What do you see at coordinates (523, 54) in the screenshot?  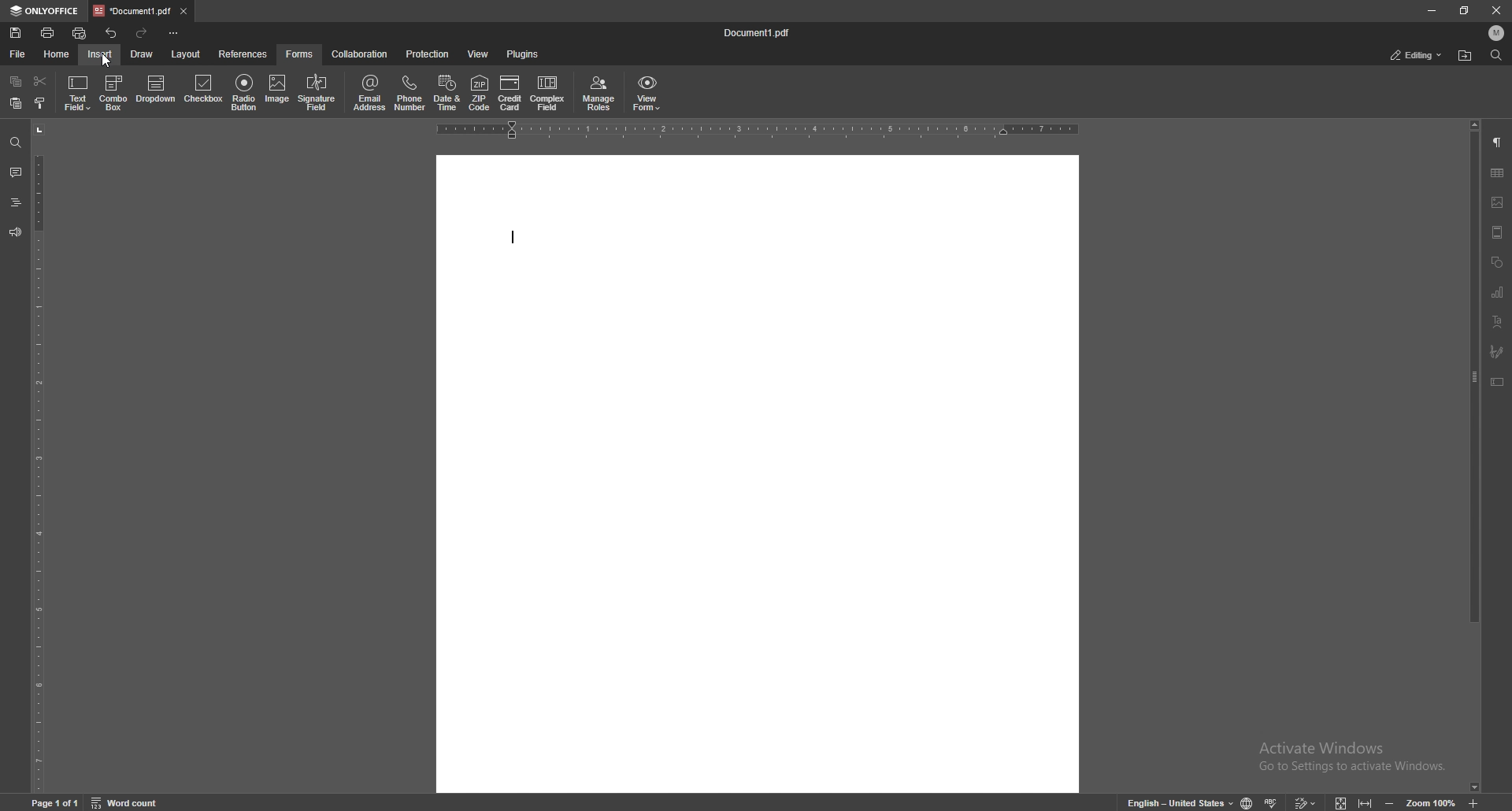 I see `plugins` at bounding box center [523, 54].